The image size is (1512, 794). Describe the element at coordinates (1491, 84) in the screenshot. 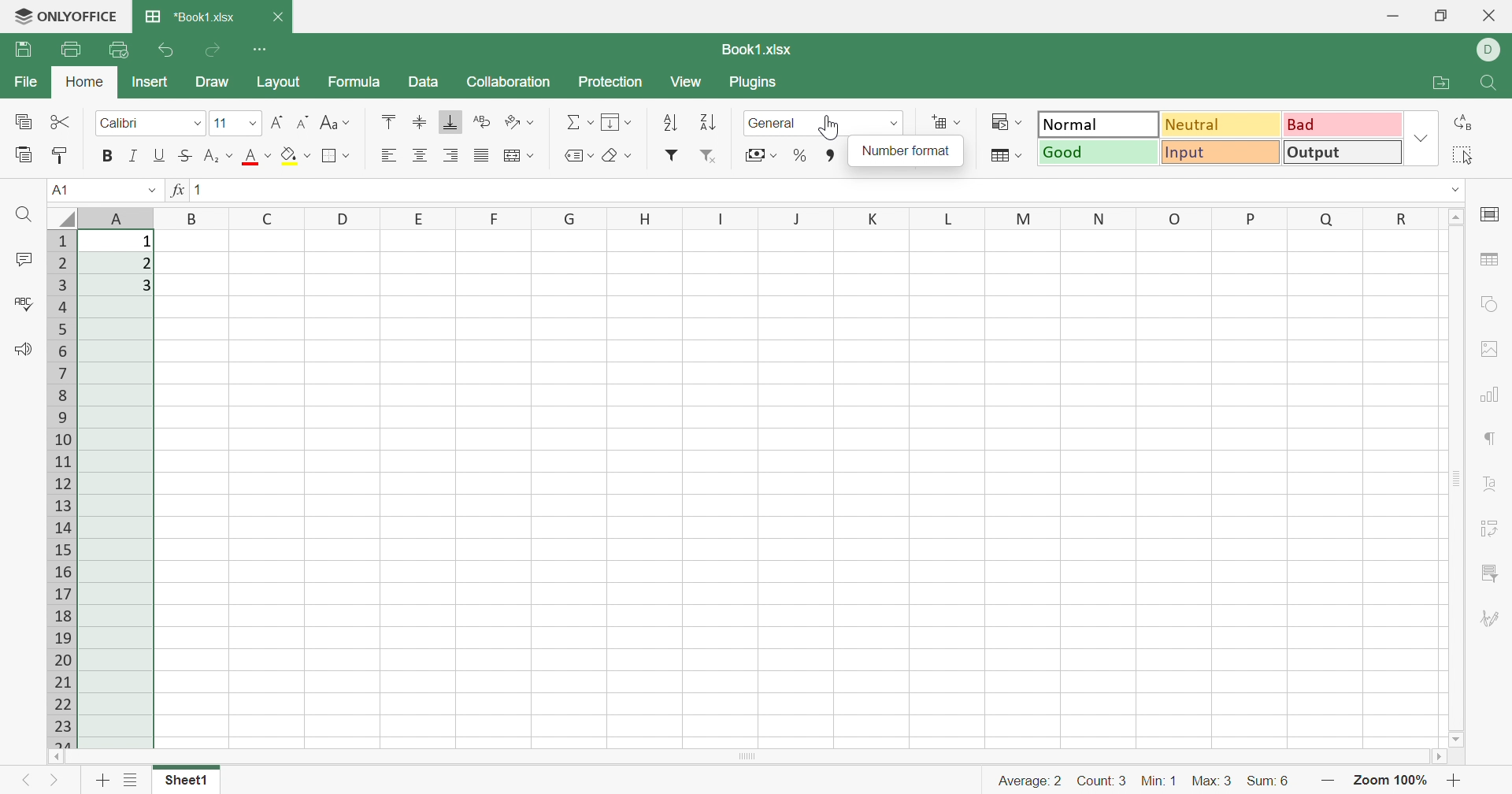

I see `Find` at that location.